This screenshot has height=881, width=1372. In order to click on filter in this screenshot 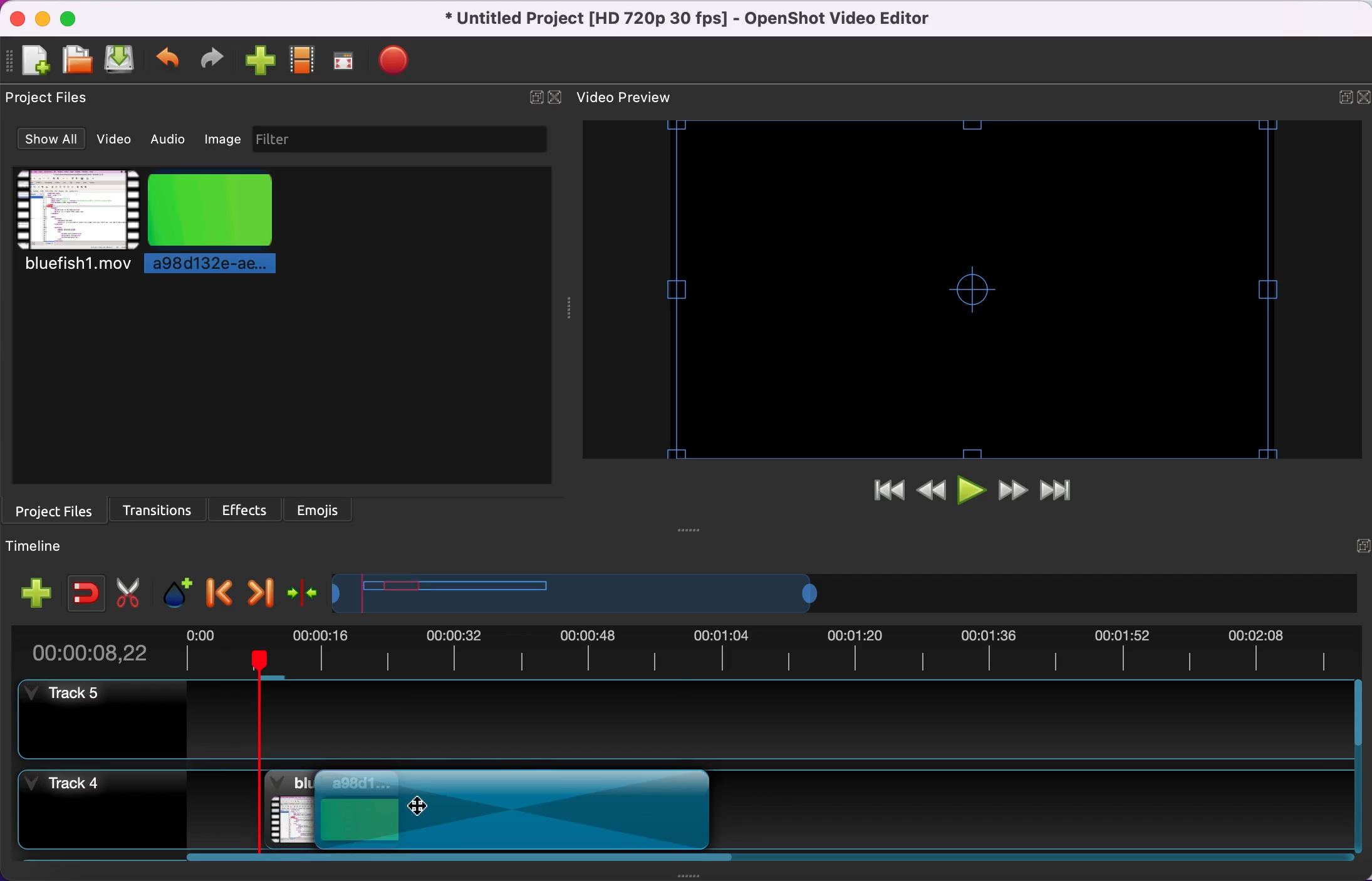, I will do `click(398, 140)`.